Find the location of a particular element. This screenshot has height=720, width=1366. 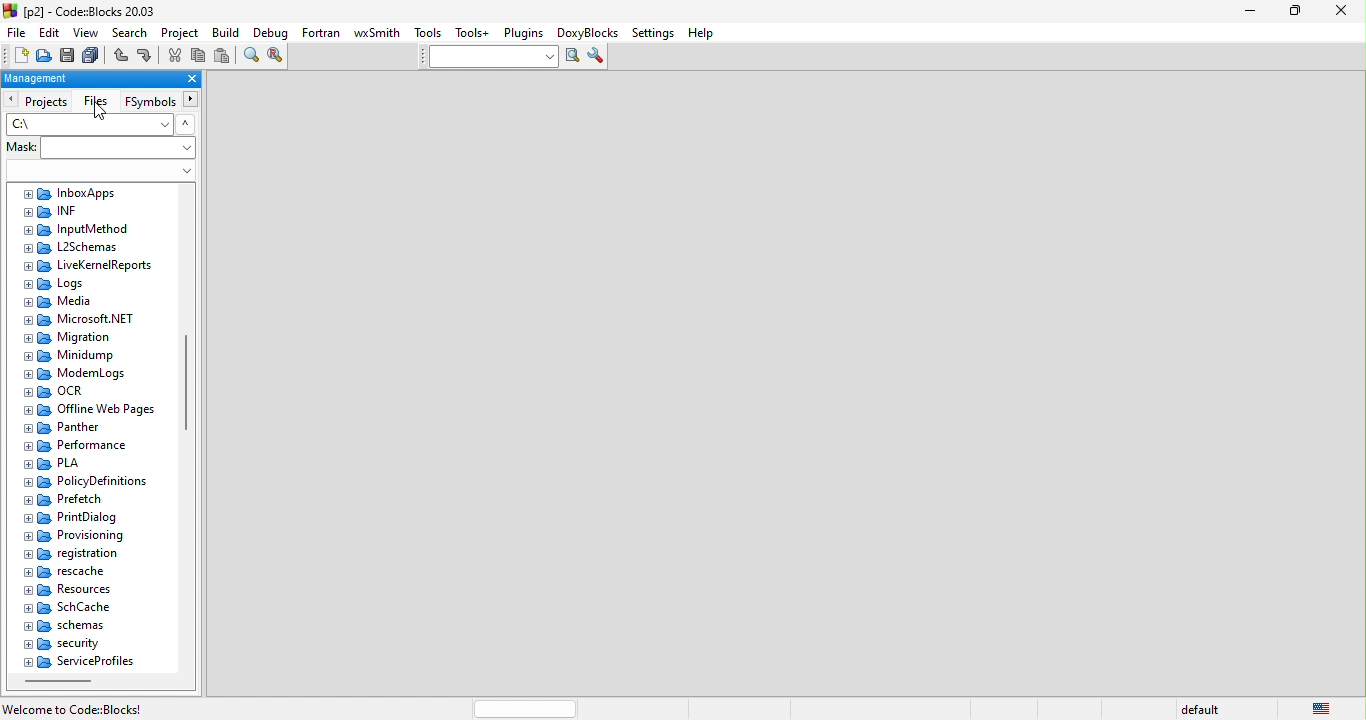

debug is located at coordinates (271, 34).